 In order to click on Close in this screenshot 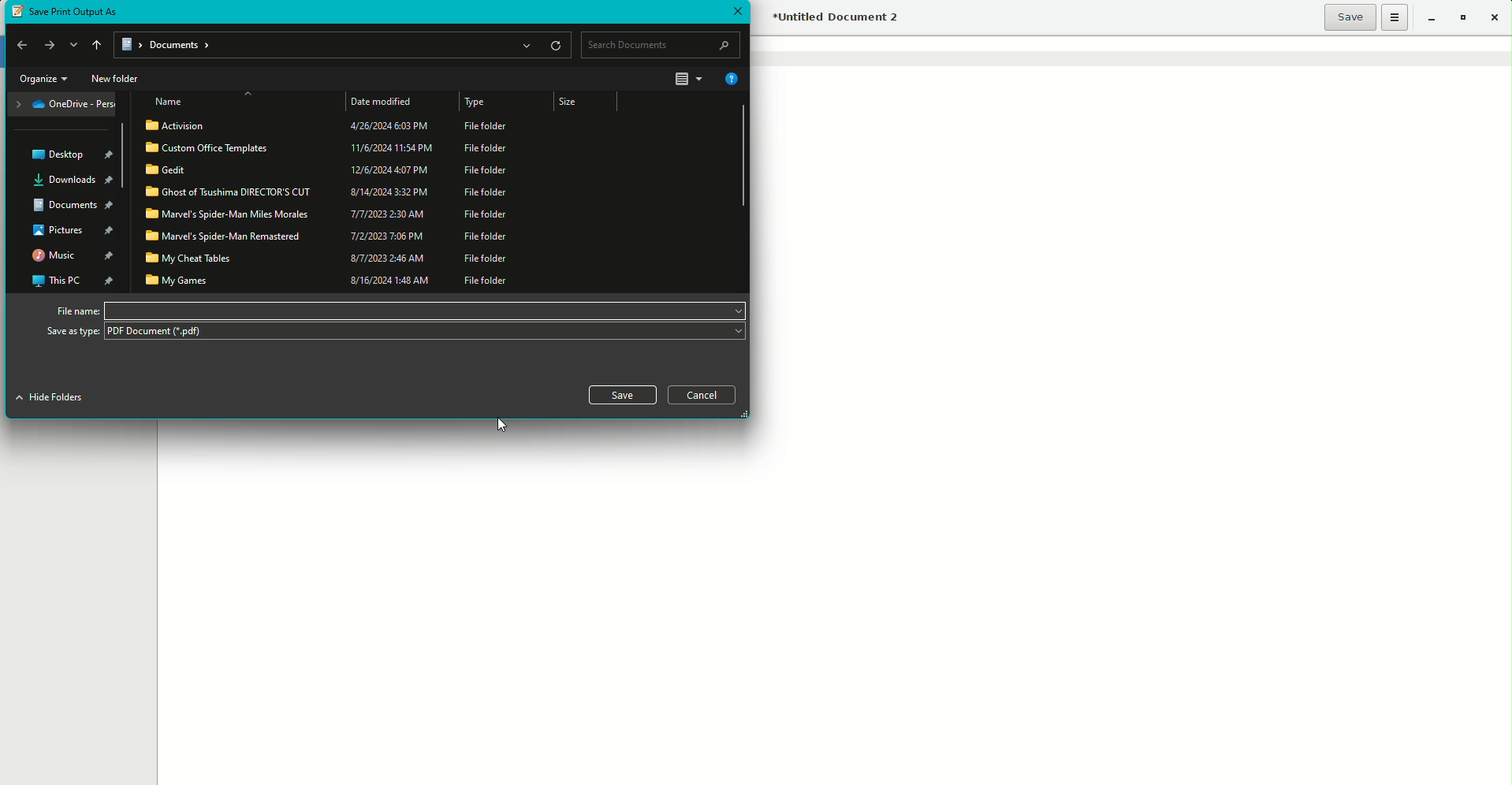, I will do `click(1499, 18)`.